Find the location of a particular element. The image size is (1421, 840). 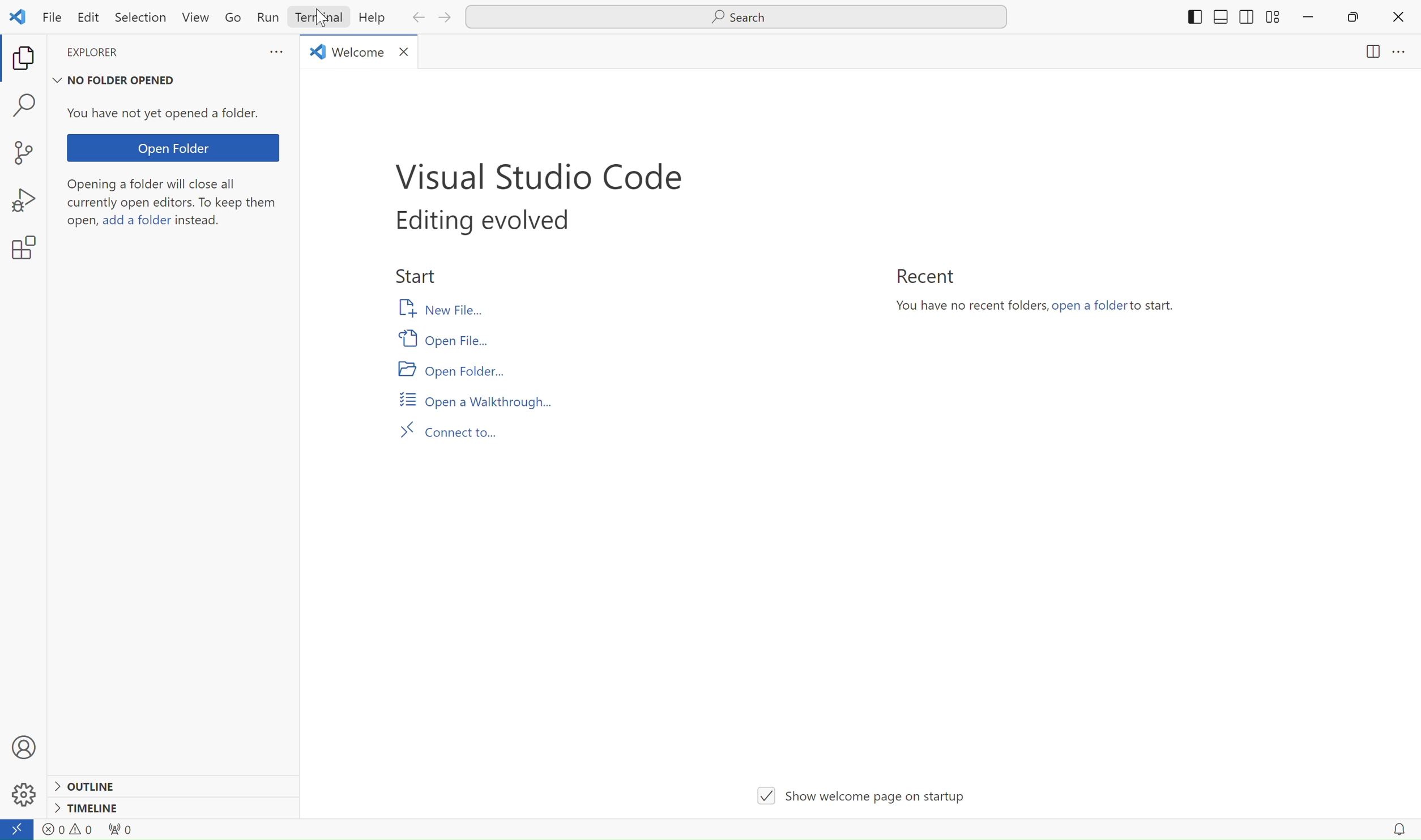

cursor is located at coordinates (323, 19).